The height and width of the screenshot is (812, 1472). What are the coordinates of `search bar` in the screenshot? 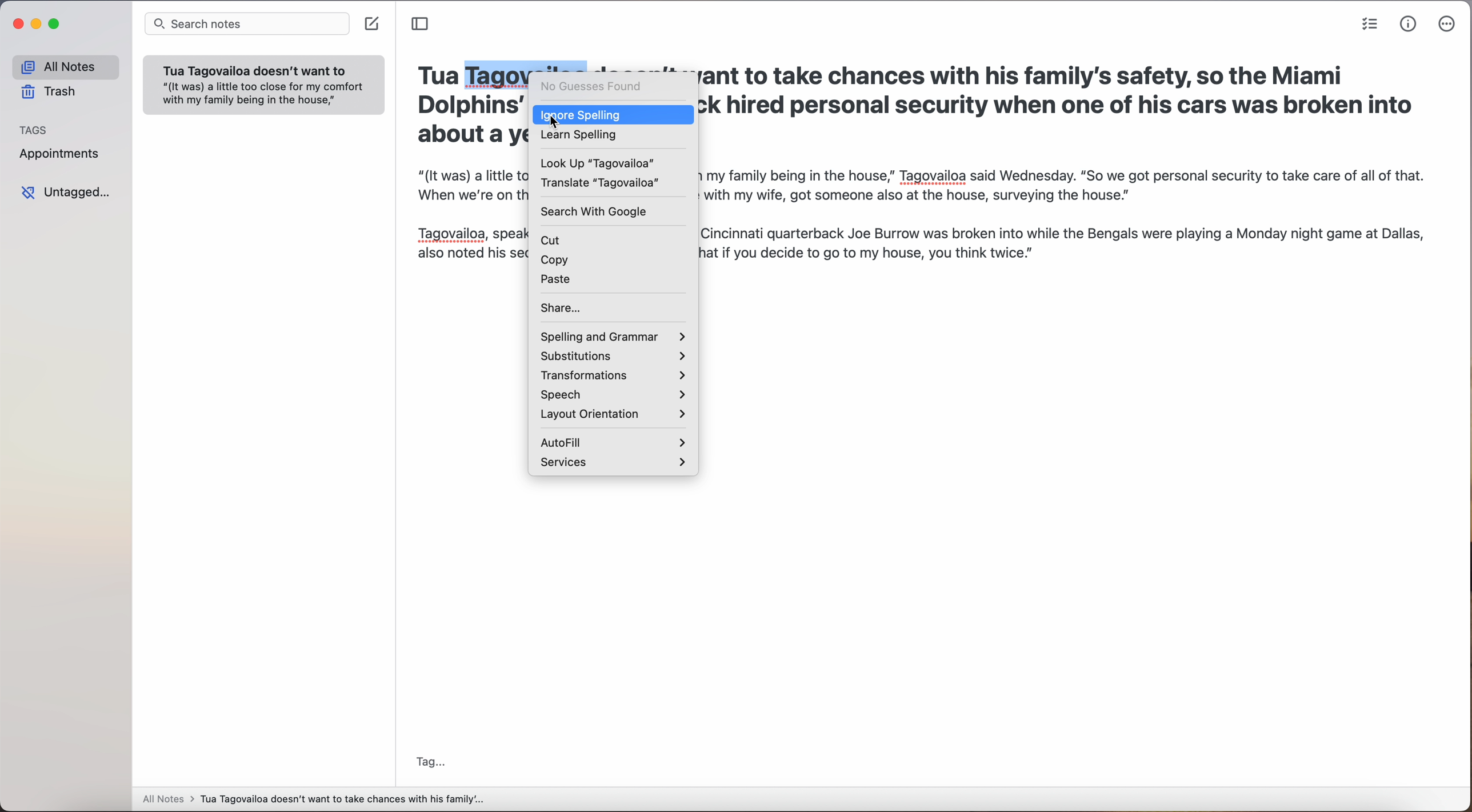 It's located at (246, 24).